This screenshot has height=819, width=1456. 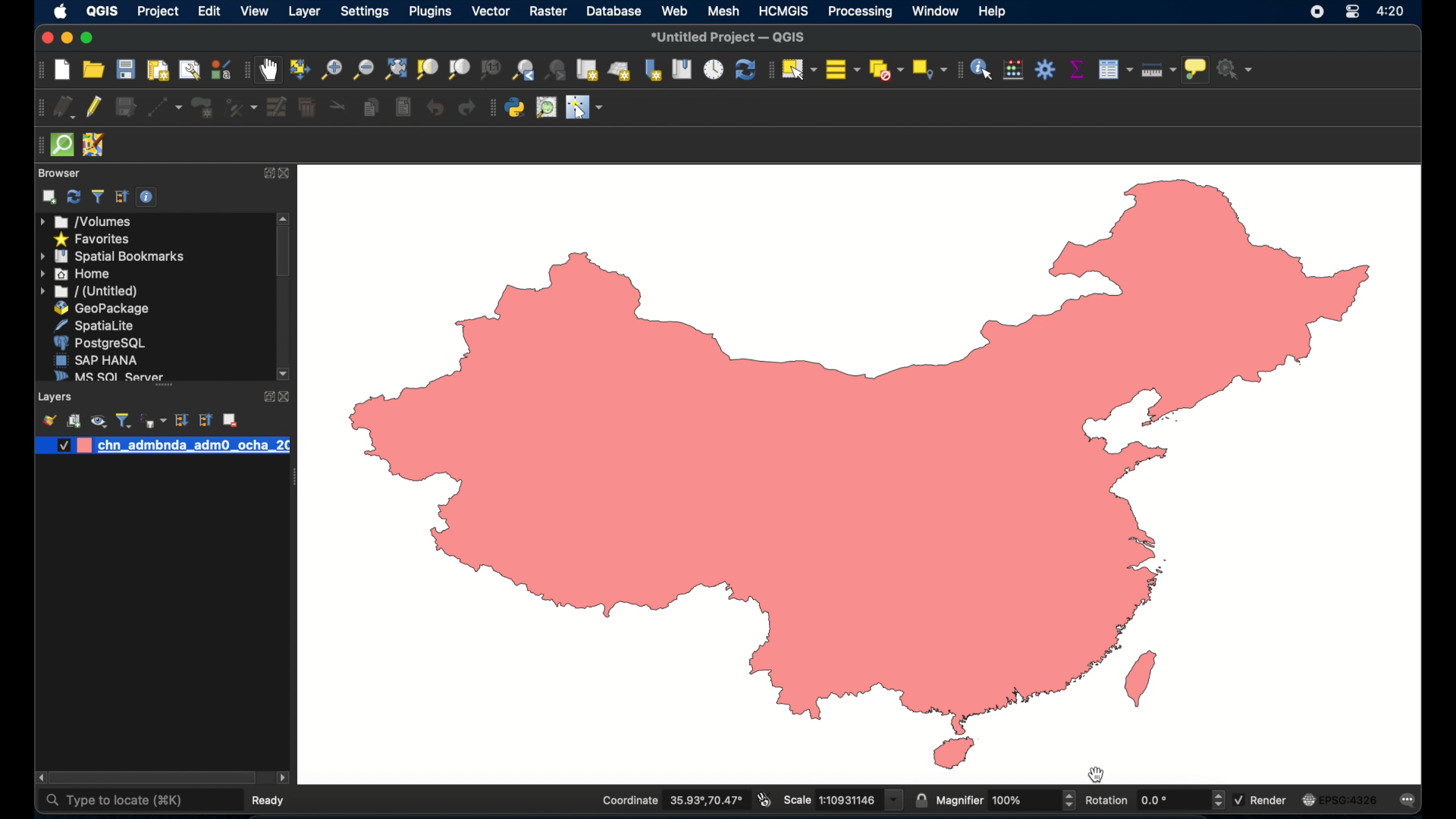 What do you see at coordinates (37, 146) in the screenshot?
I see `drag handle` at bounding box center [37, 146].